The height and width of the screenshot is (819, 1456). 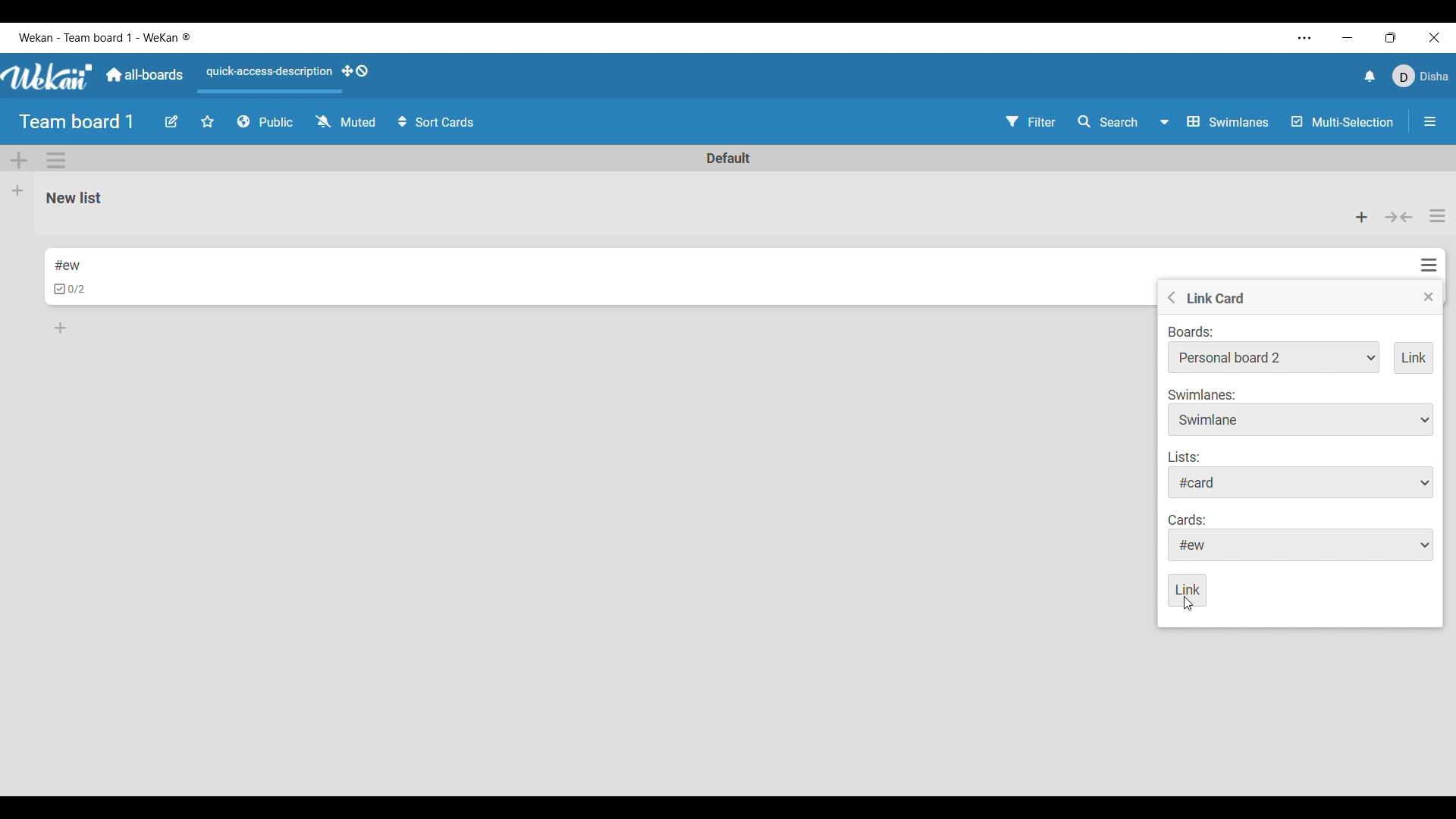 I want to click on Close/Open sidebar, so click(x=1430, y=122).